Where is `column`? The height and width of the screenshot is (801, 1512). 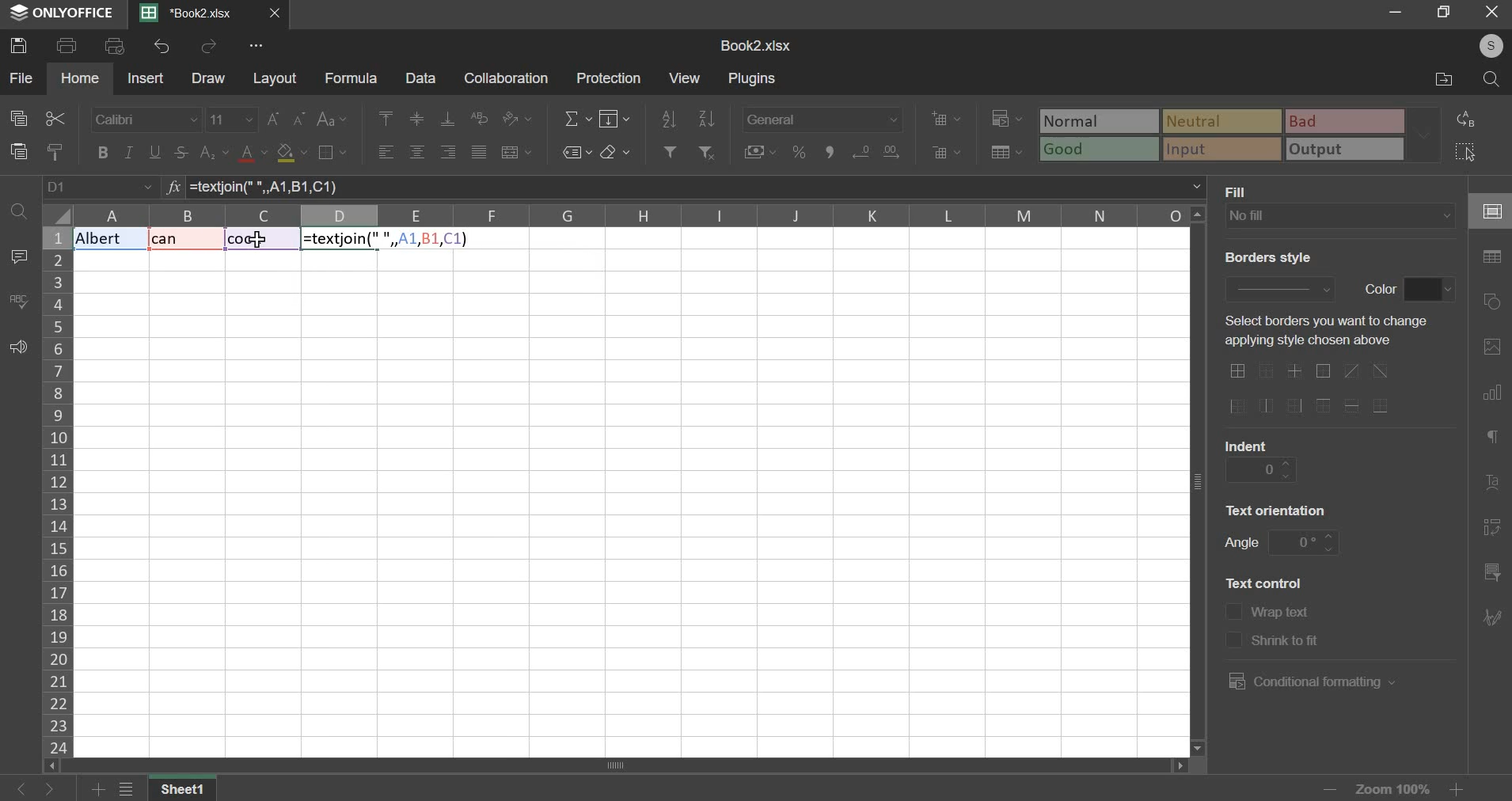 column is located at coordinates (56, 491).